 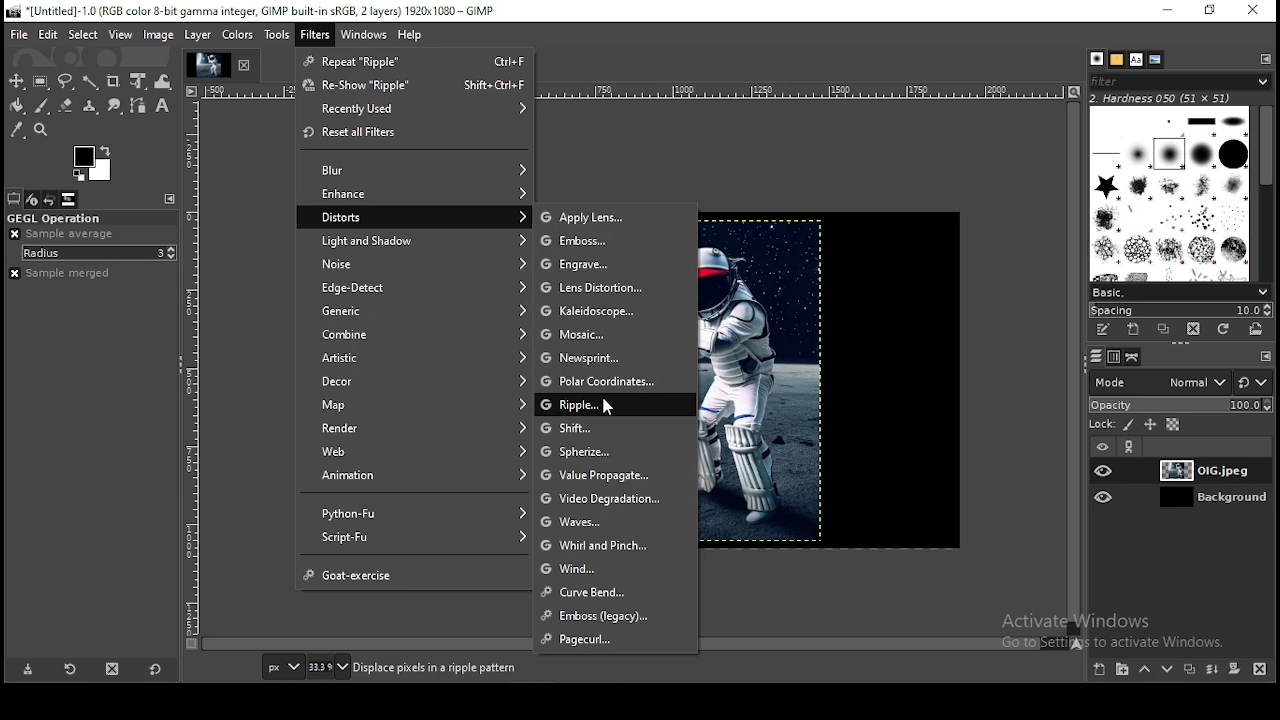 What do you see at coordinates (416, 572) in the screenshot?
I see `goat exercise` at bounding box center [416, 572].